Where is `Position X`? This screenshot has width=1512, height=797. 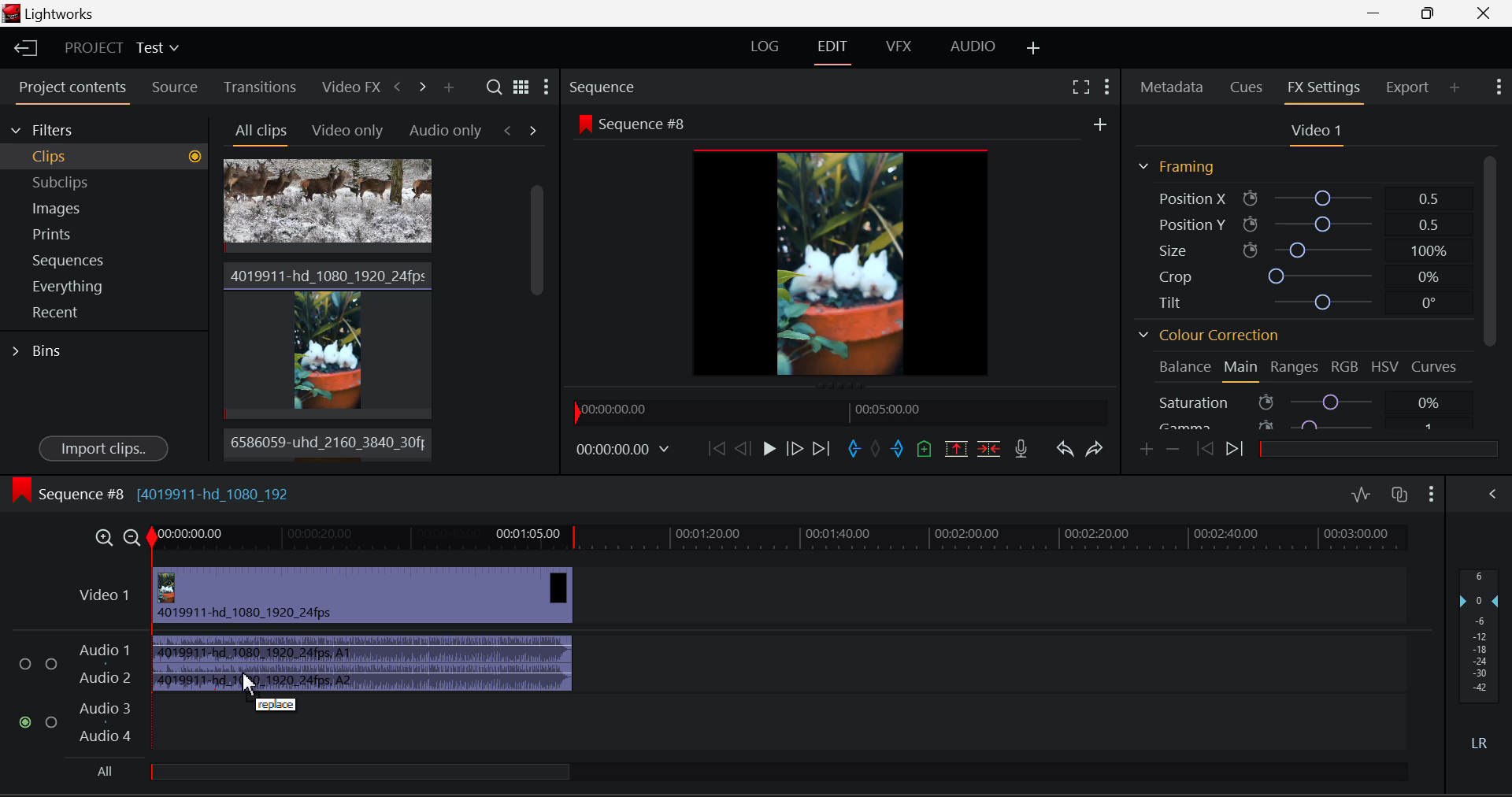
Position X is located at coordinates (1309, 196).